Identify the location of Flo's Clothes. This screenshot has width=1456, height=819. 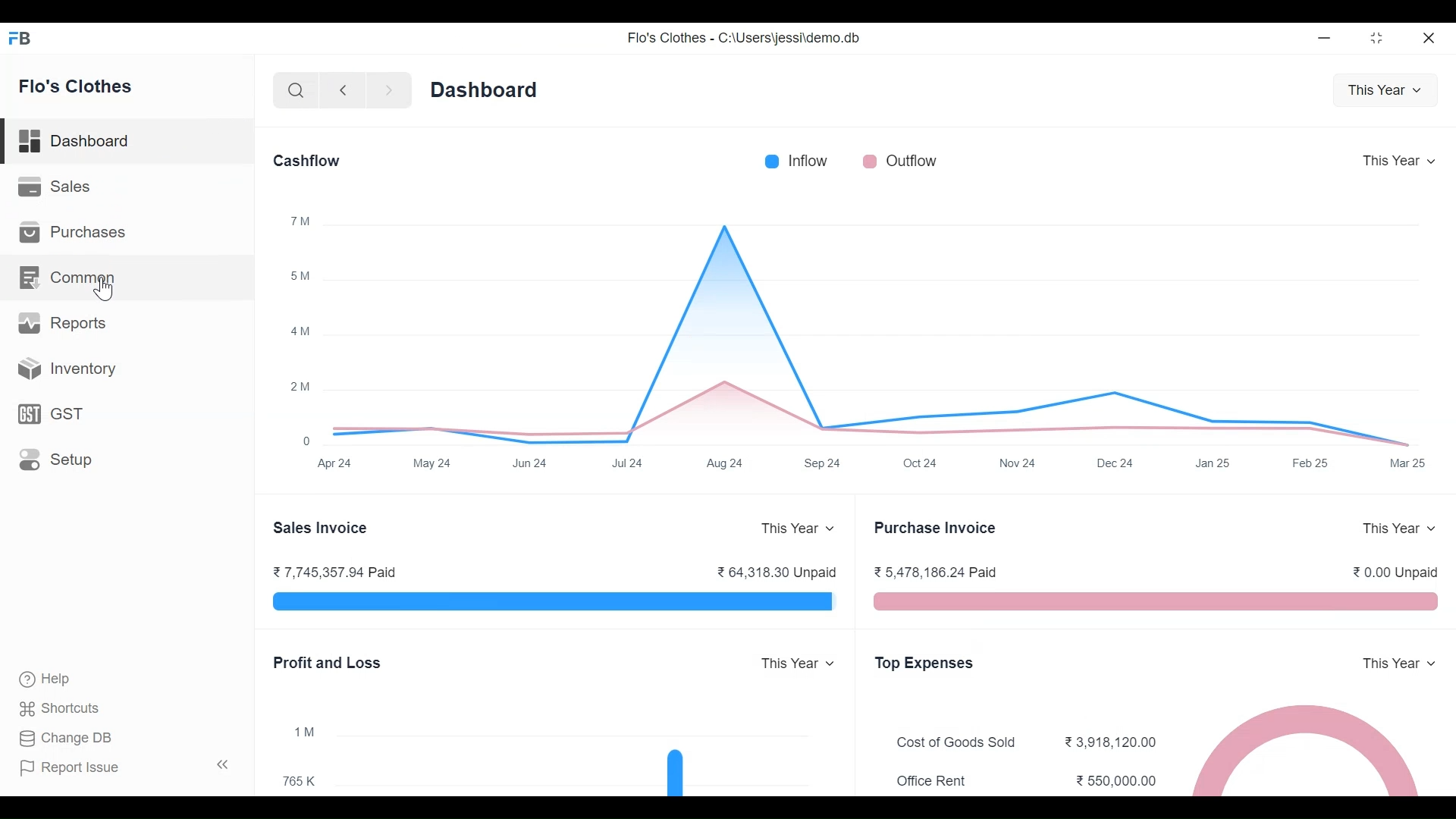
(76, 86).